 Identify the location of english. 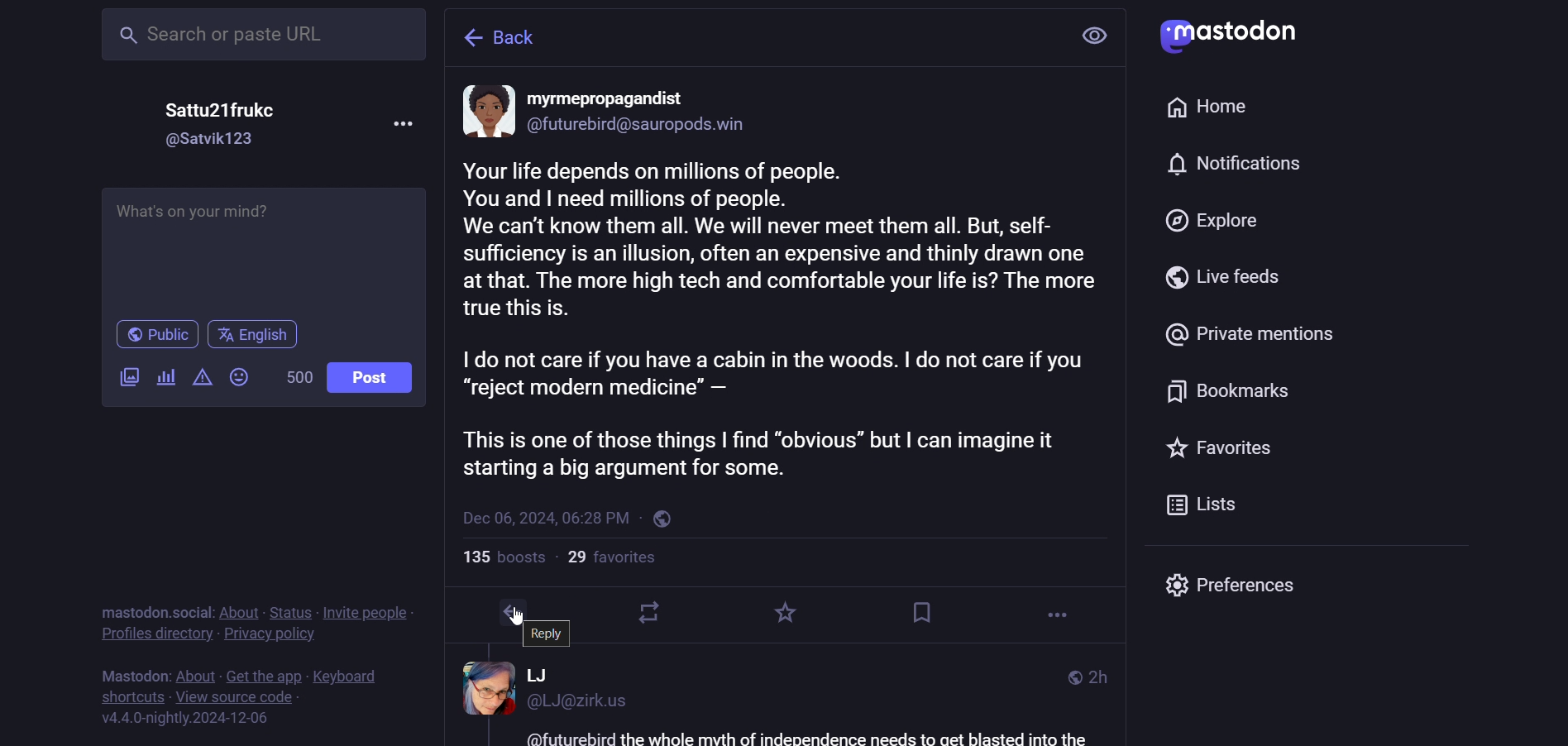
(257, 335).